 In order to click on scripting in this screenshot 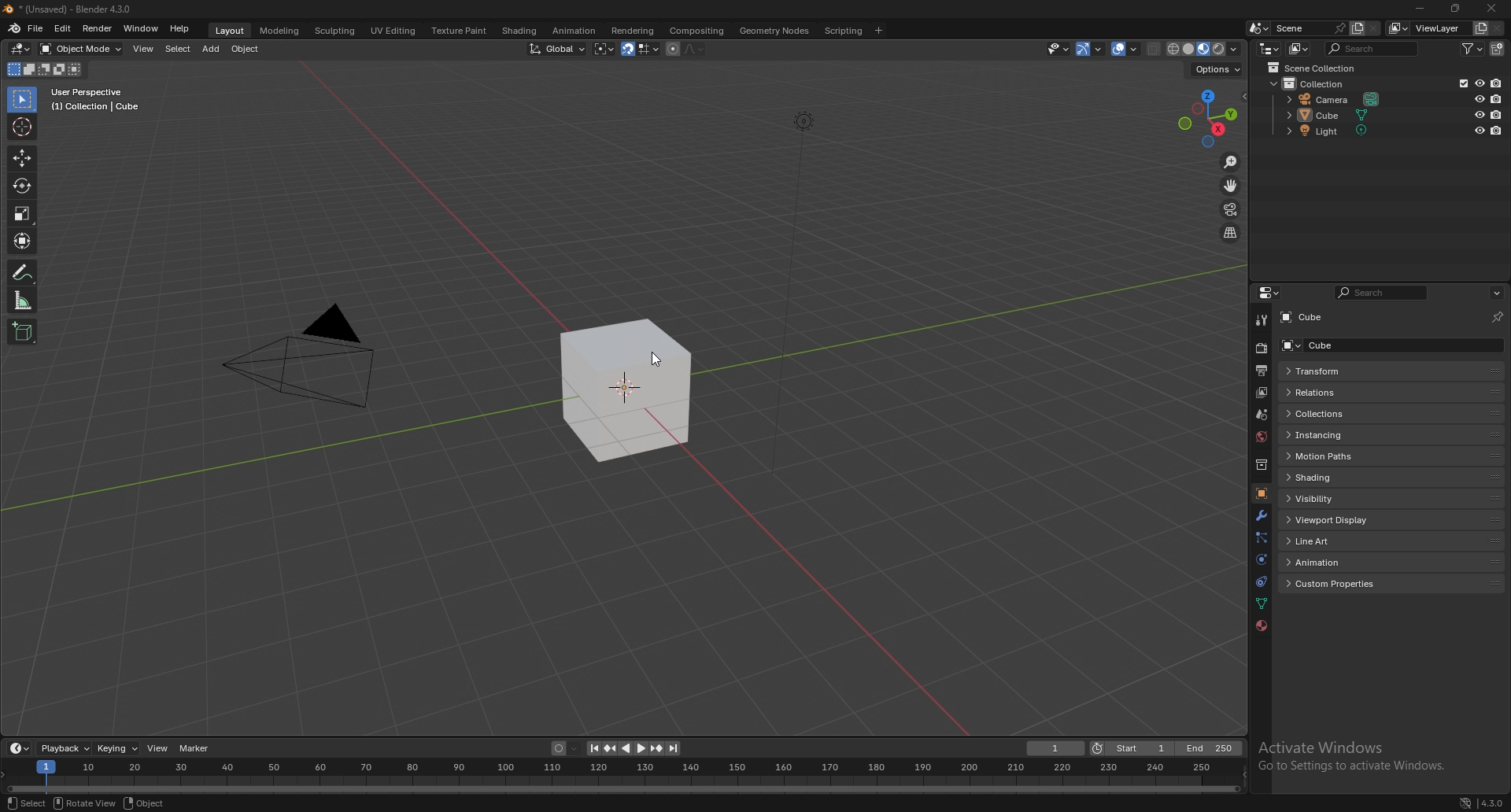, I will do `click(844, 30)`.